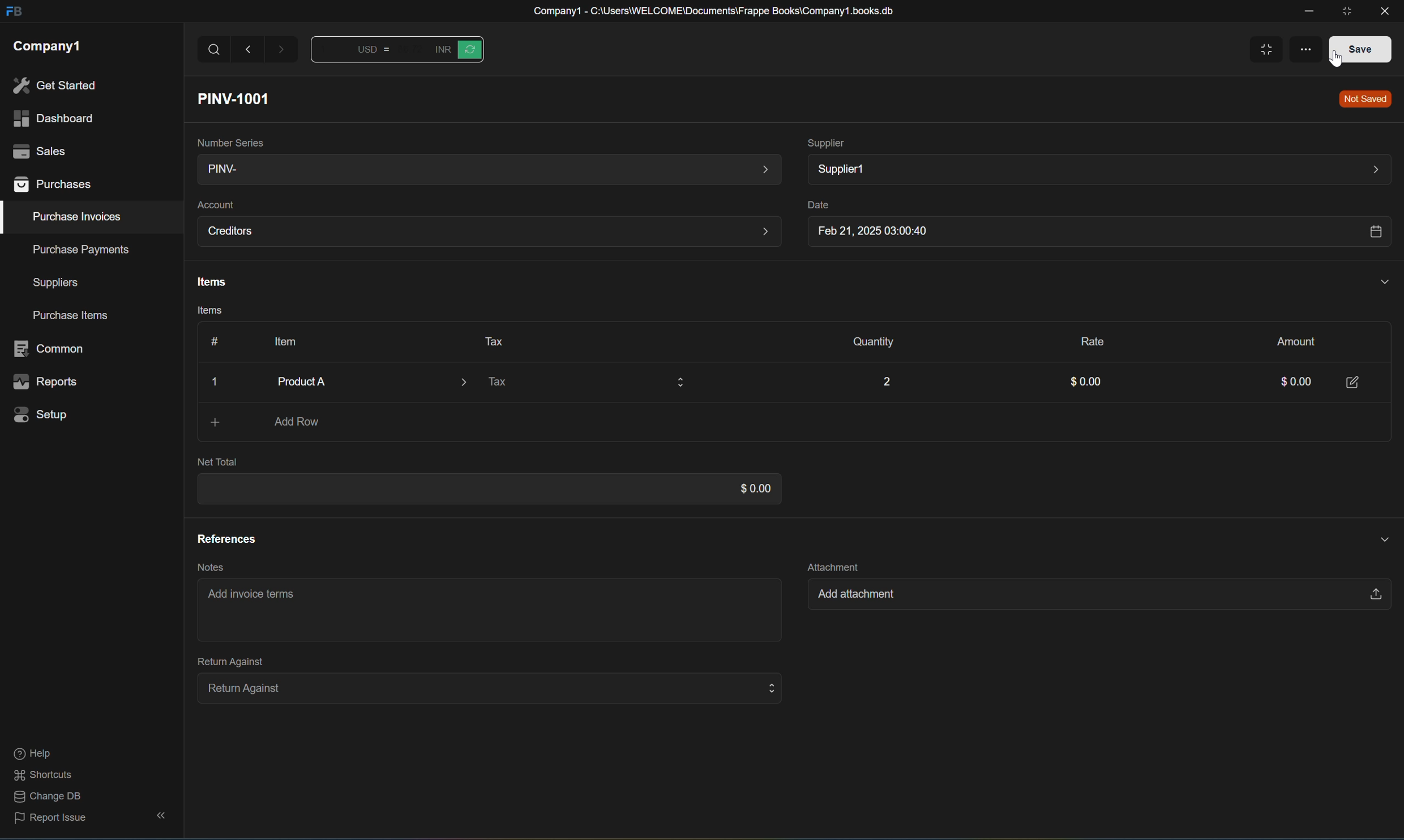 This screenshot has height=840, width=1404. What do you see at coordinates (210, 341) in the screenshot?
I see `` at bounding box center [210, 341].